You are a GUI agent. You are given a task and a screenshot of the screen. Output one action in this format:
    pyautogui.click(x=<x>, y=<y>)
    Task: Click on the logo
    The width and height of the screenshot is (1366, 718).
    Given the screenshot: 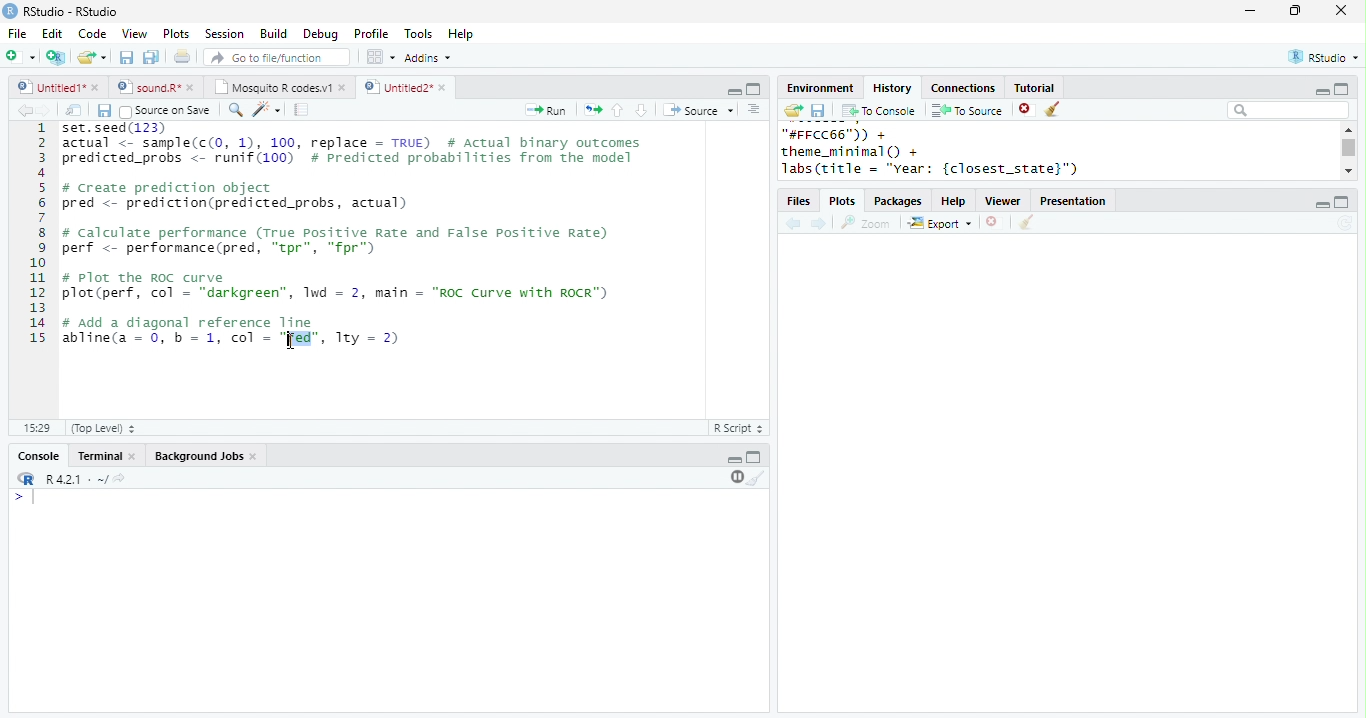 What is the action you would take?
    pyautogui.click(x=10, y=10)
    